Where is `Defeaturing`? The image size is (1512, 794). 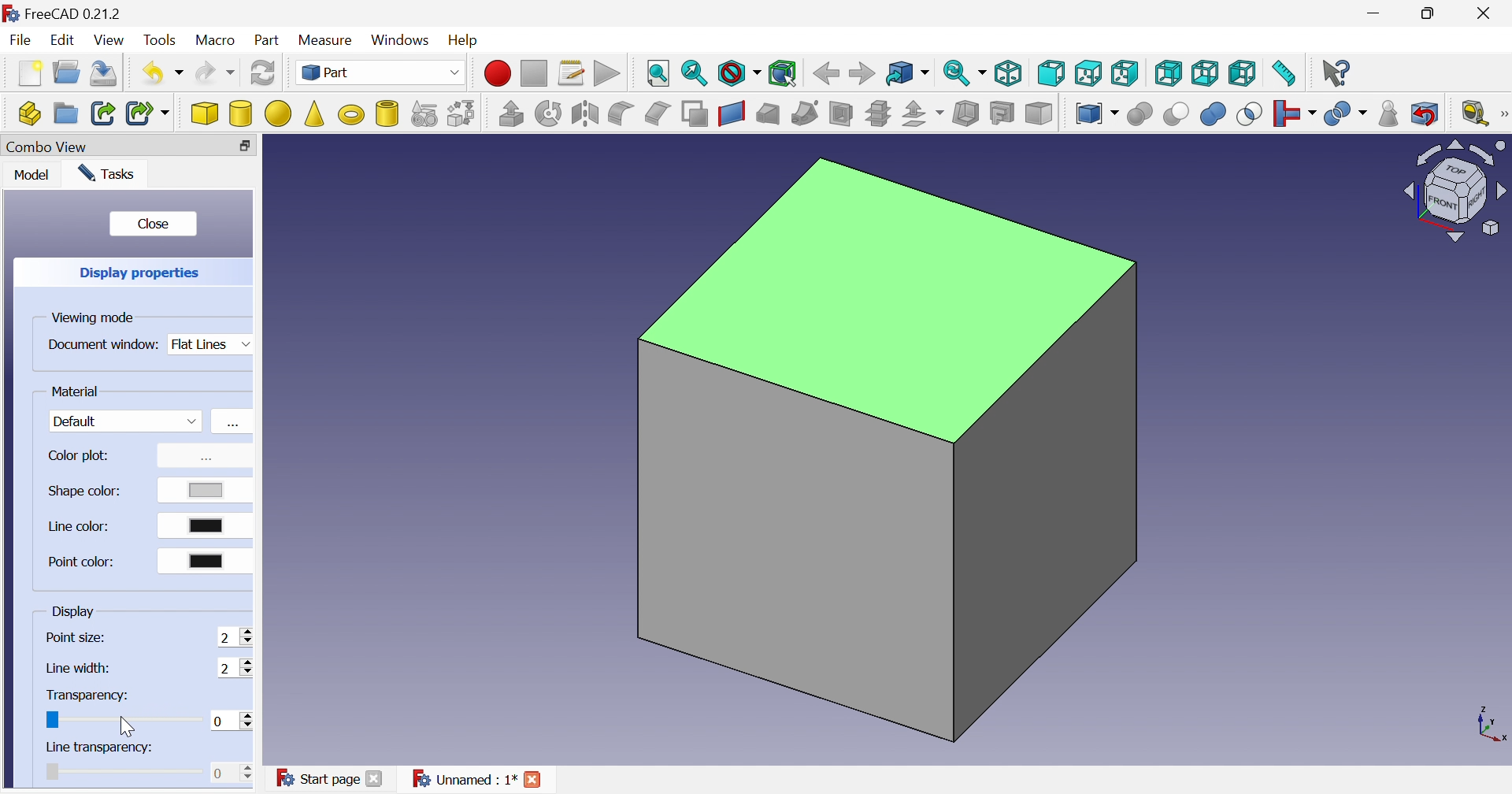 Defeaturing is located at coordinates (1426, 112).